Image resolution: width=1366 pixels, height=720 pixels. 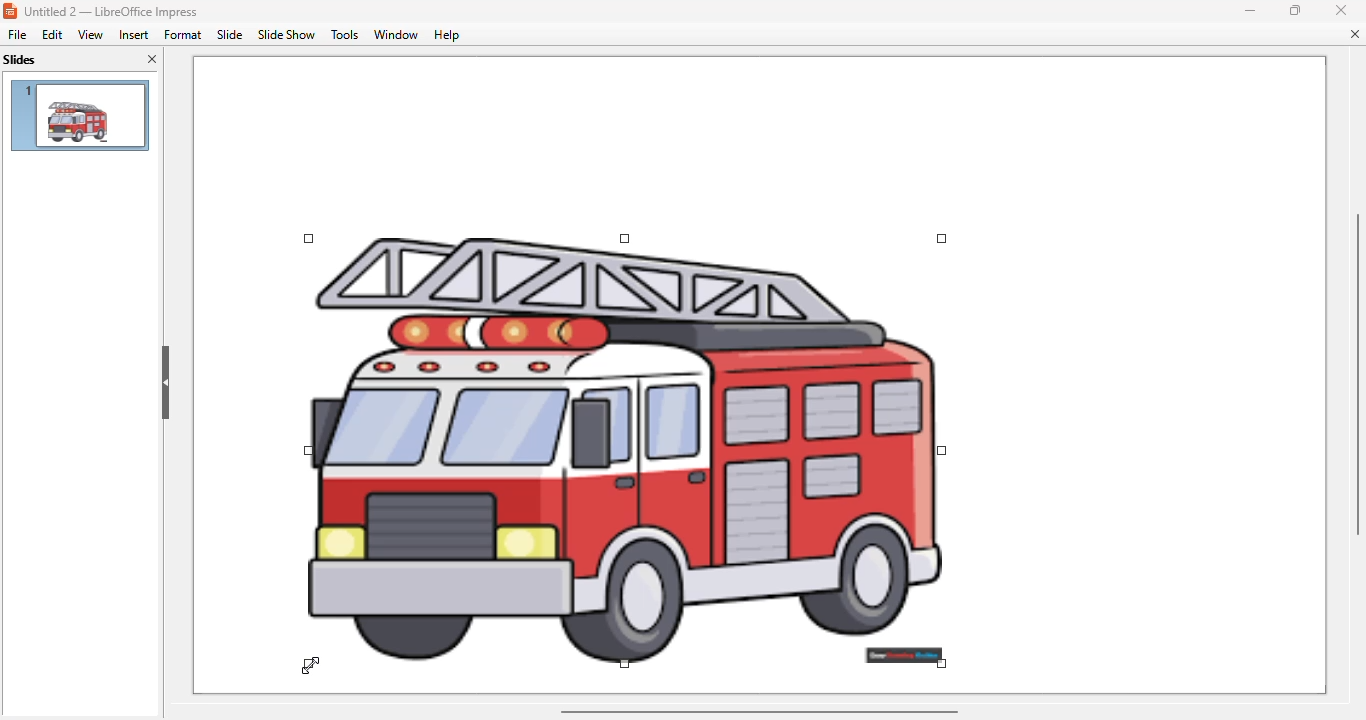 I want to click on slides, so click(x=20, y=60).